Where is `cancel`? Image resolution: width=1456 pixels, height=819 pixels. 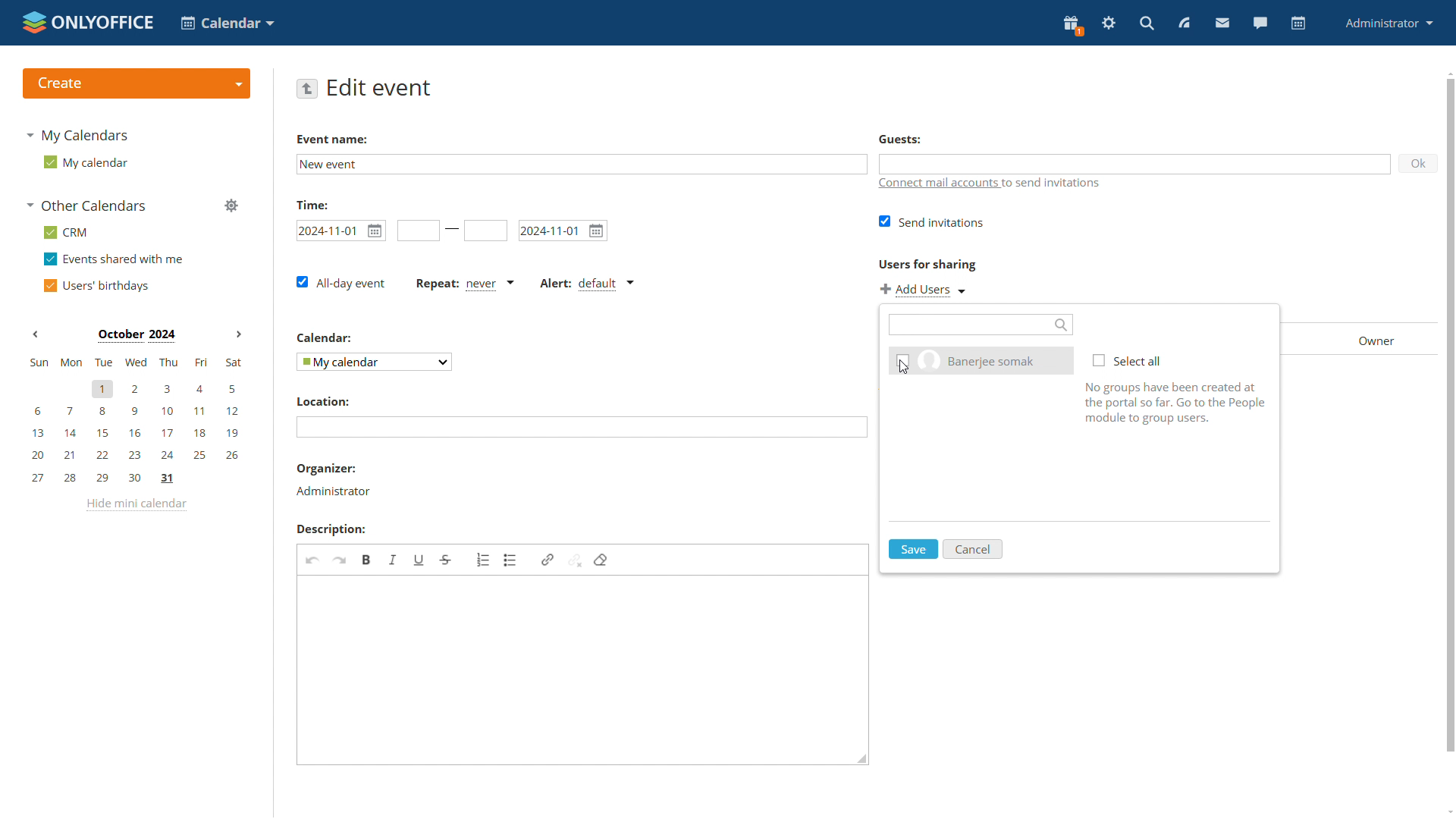
cancel is located at coordinates (971, 548).